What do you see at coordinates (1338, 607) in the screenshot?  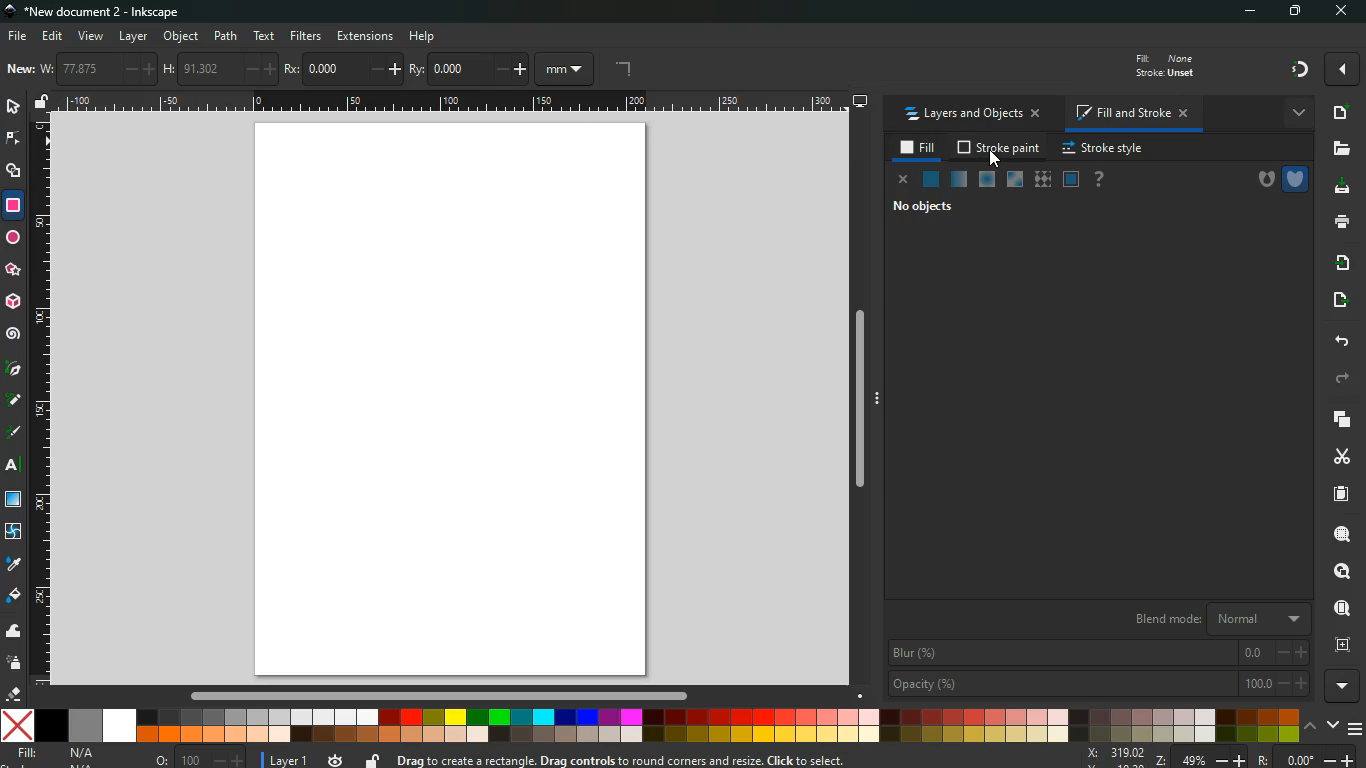 I see `find` at bounding box center [1338, 607].